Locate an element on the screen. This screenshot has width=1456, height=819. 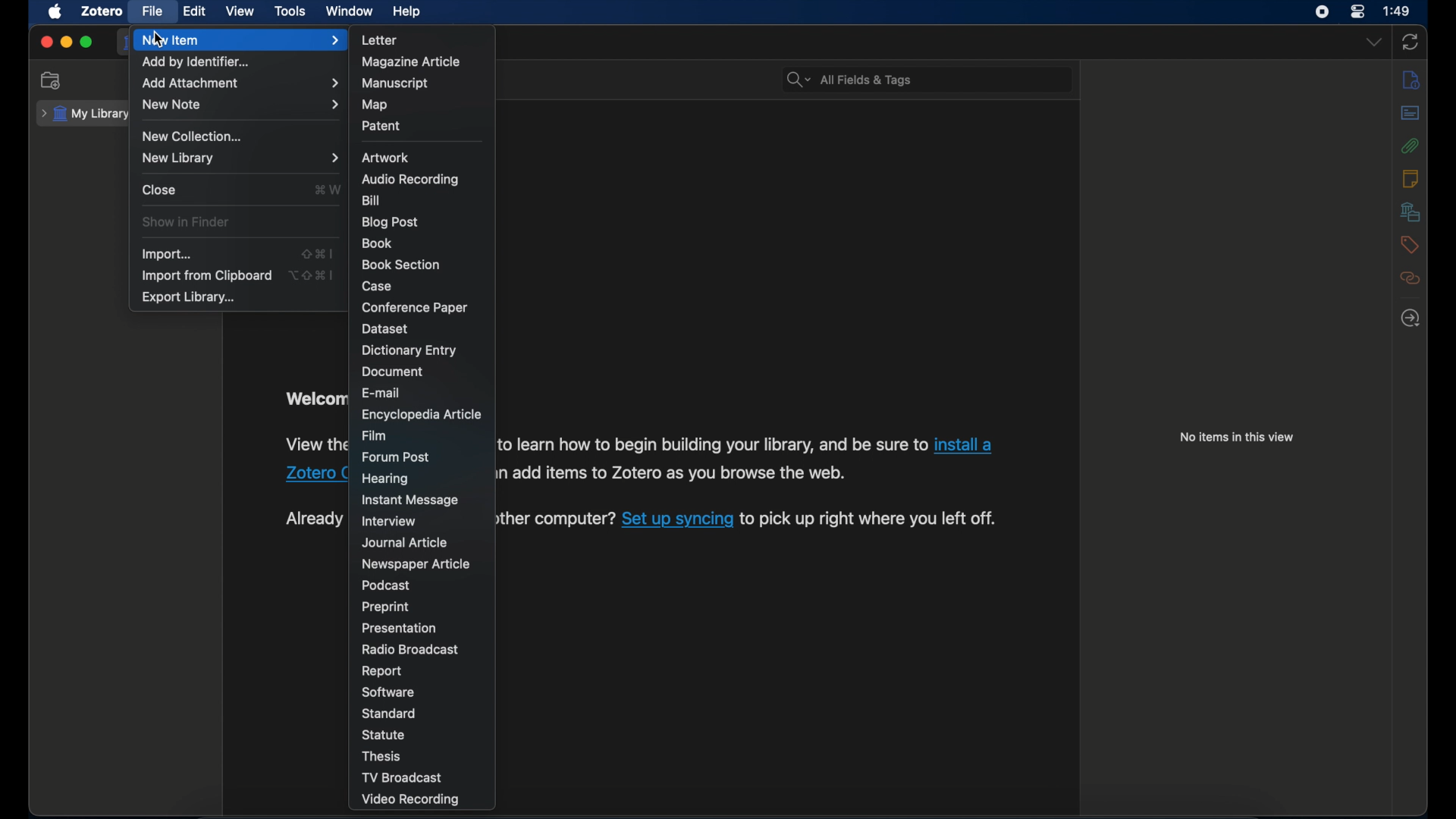
cursor is located at coordinates (158, 39).